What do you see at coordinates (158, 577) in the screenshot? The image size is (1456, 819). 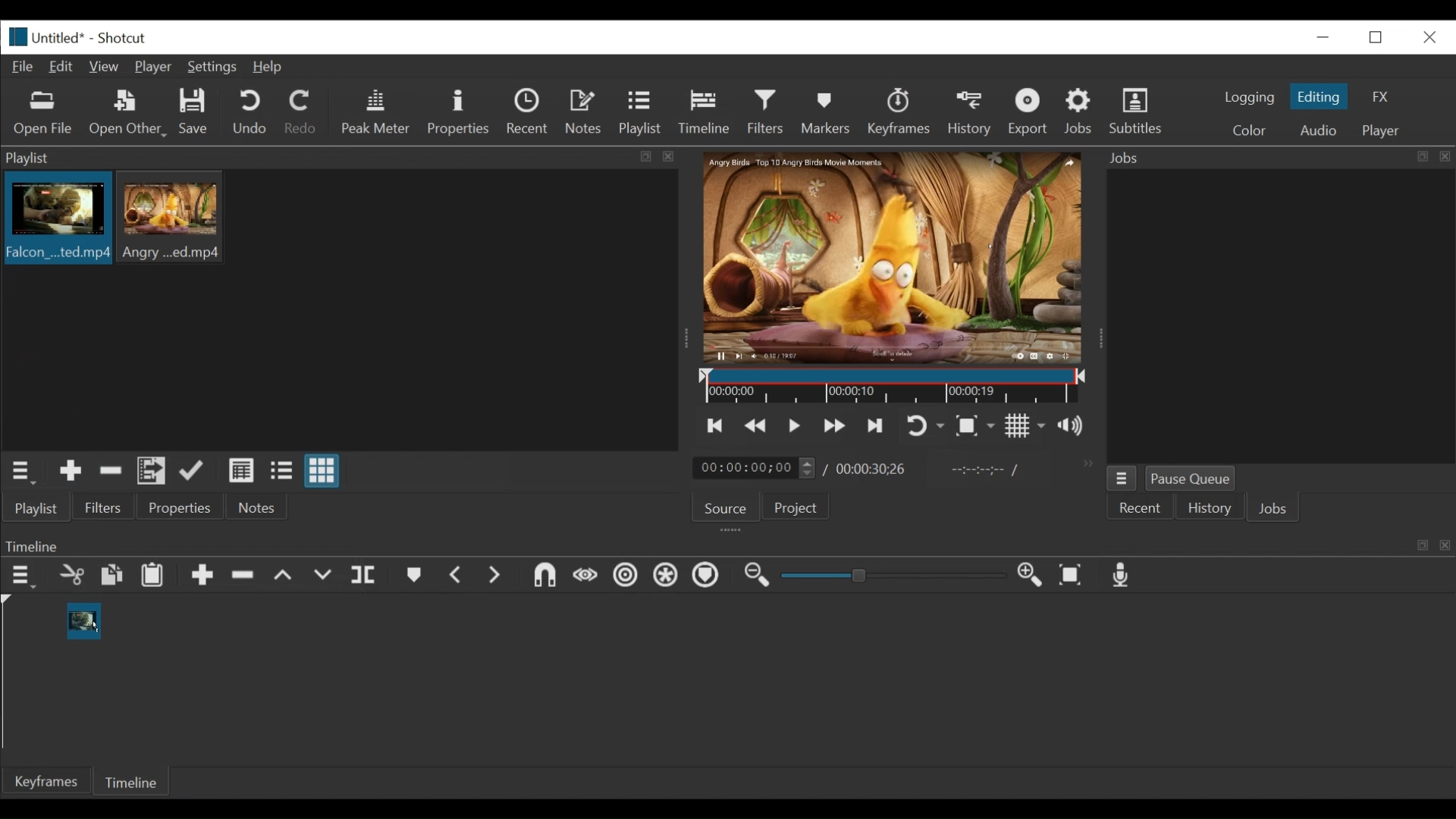 I see `Paste` at bounding box center [158, 577].